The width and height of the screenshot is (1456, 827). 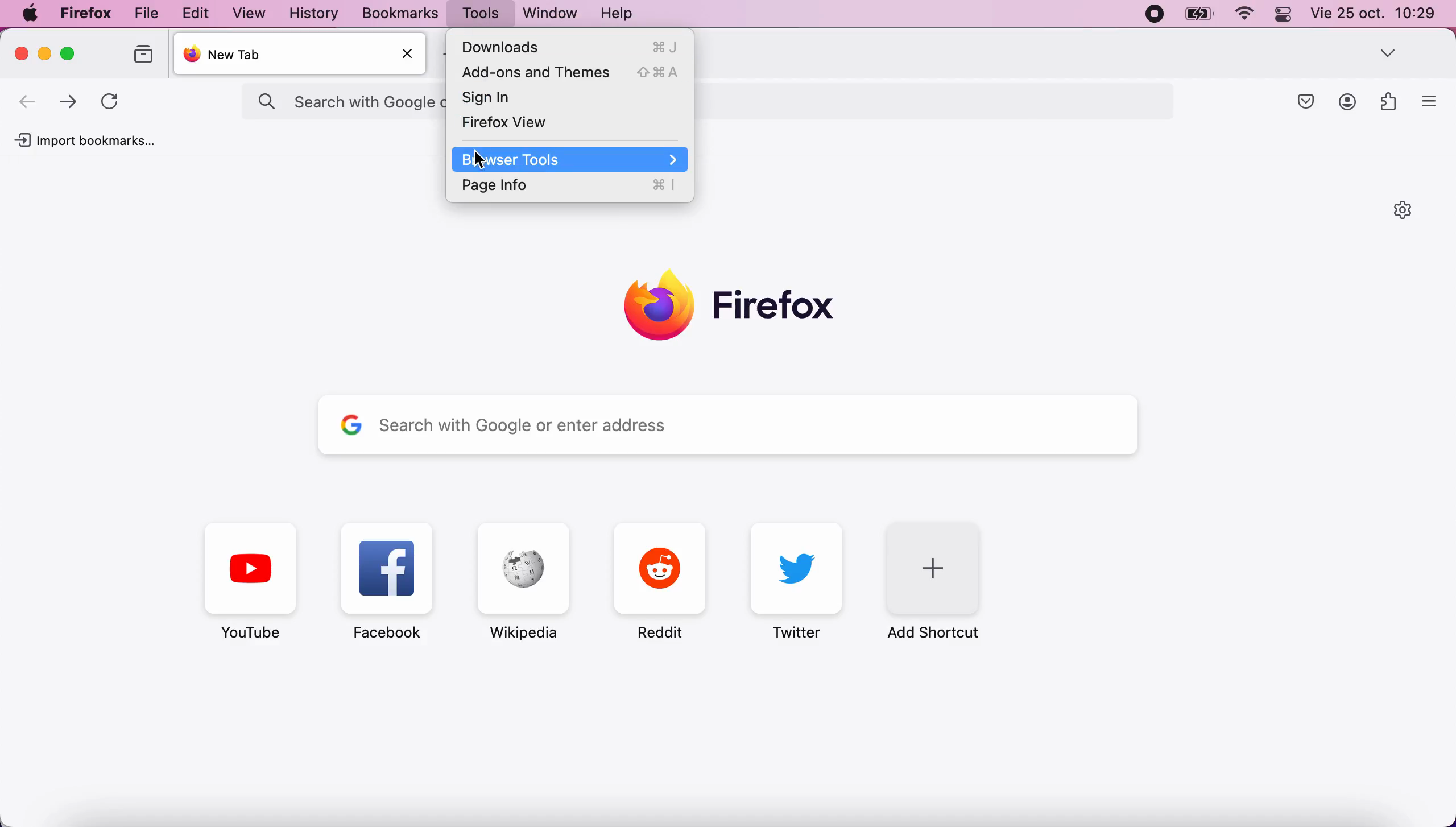 What do you see at coordinates (86, 14) in the screenshot?
I see `Firefox` at bounding box center [86, 14].